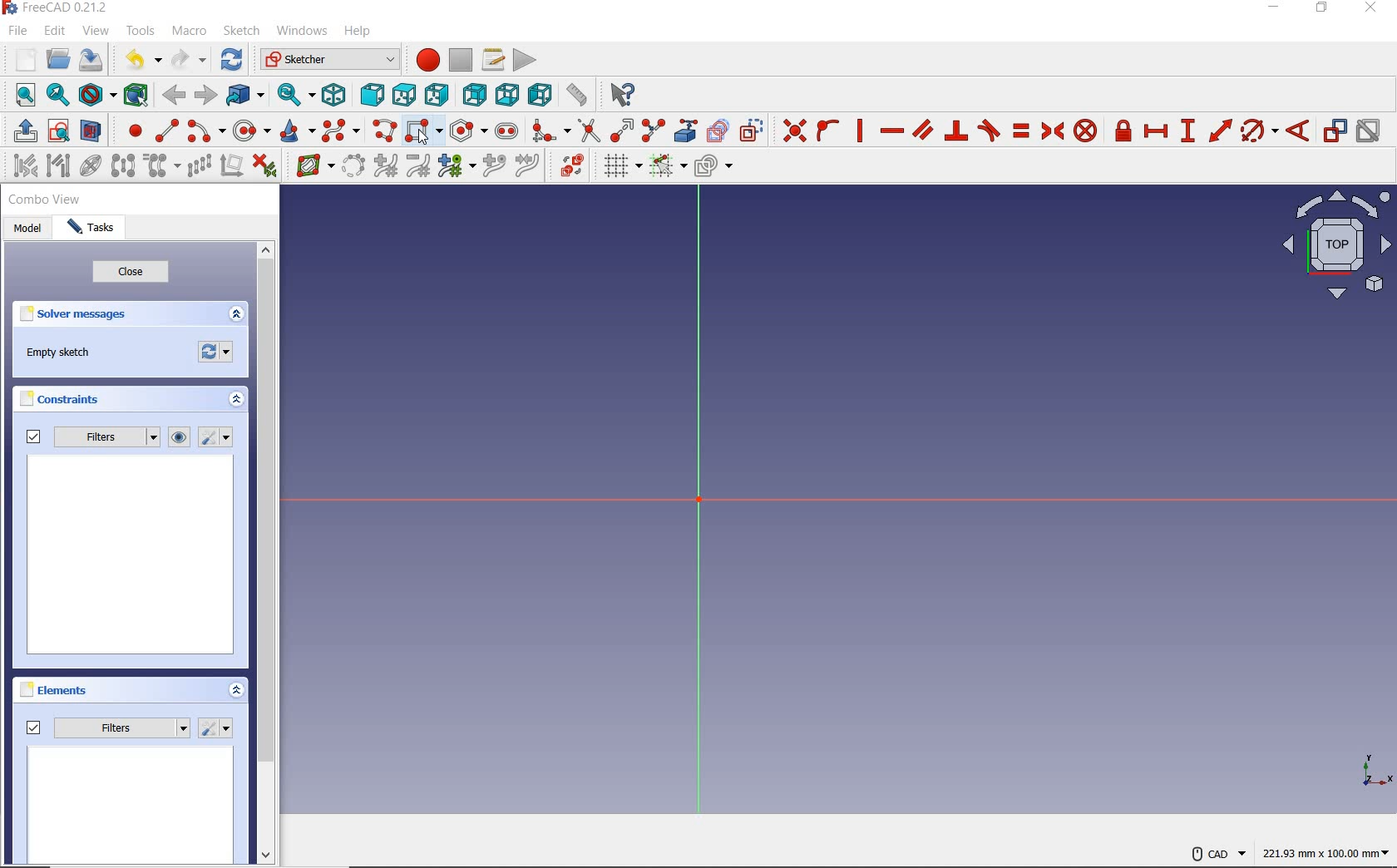  Describe the element at coordinates (1157, 133) in the screenshot. I see `constrain horizontal distance` at that location.